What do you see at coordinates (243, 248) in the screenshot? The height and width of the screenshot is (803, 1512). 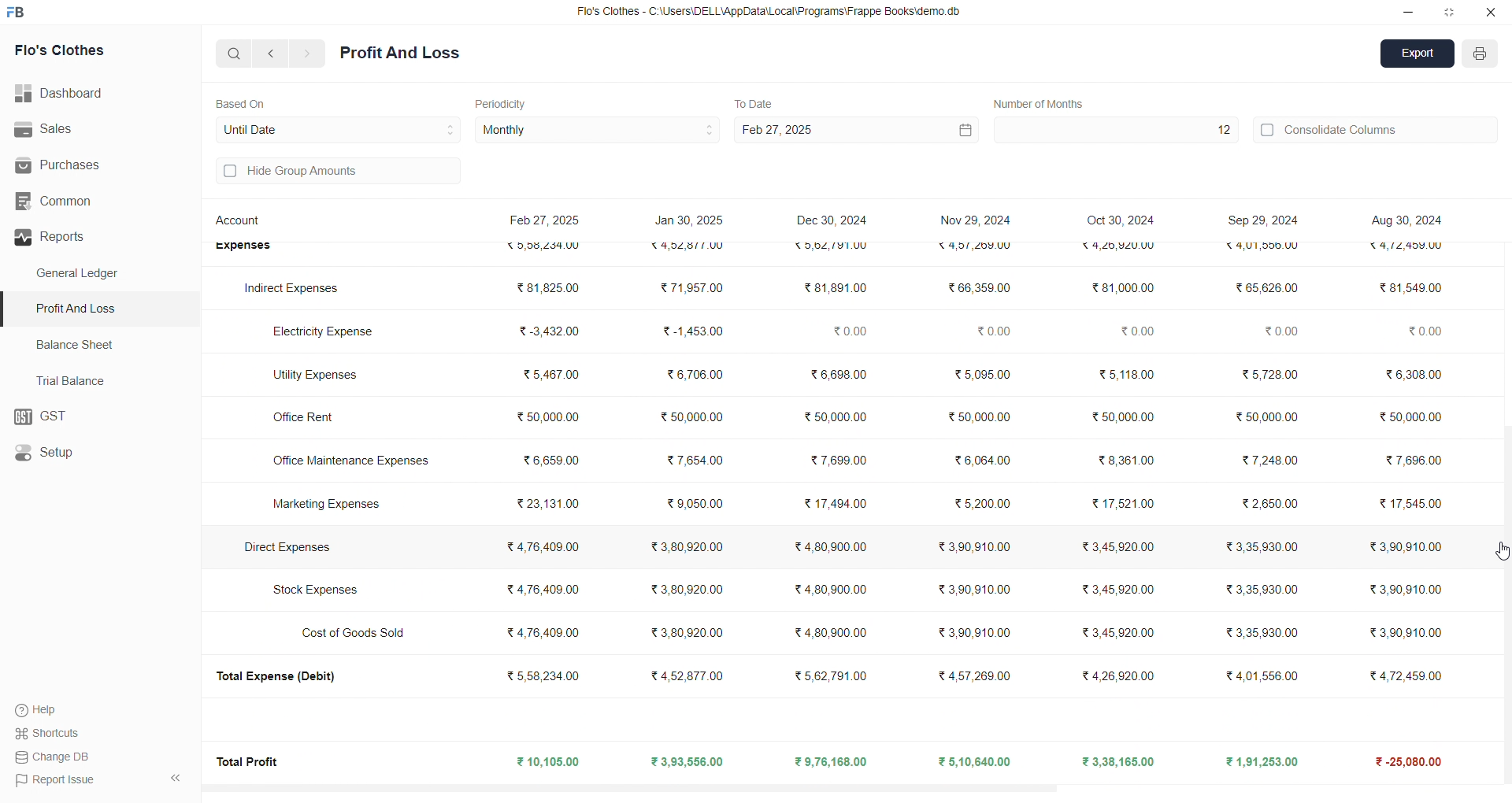 I see `Expenses` at bounding box center [243, 248].